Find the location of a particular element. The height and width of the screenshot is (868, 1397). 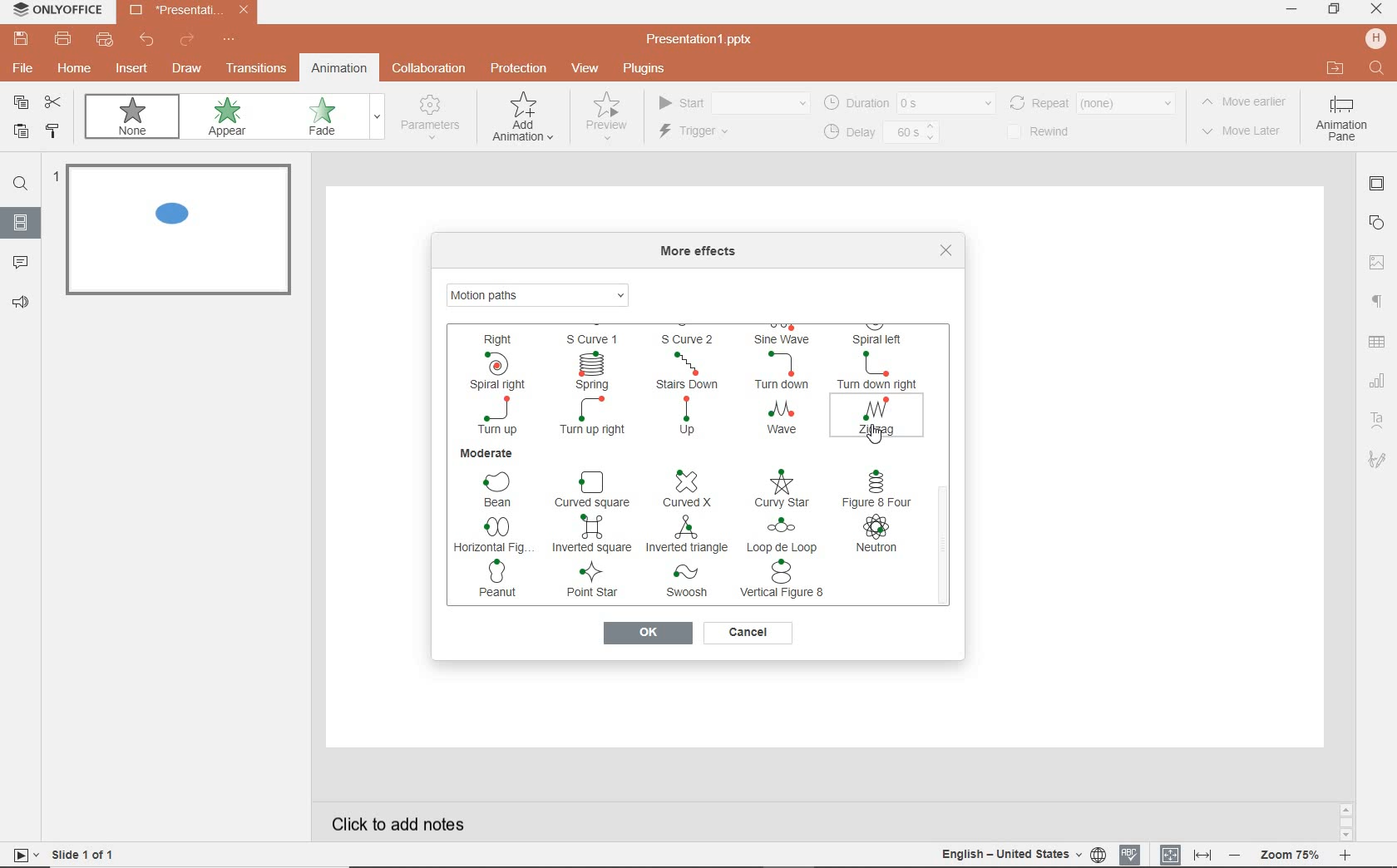

spell checking is located at coordinates (1128, 854).